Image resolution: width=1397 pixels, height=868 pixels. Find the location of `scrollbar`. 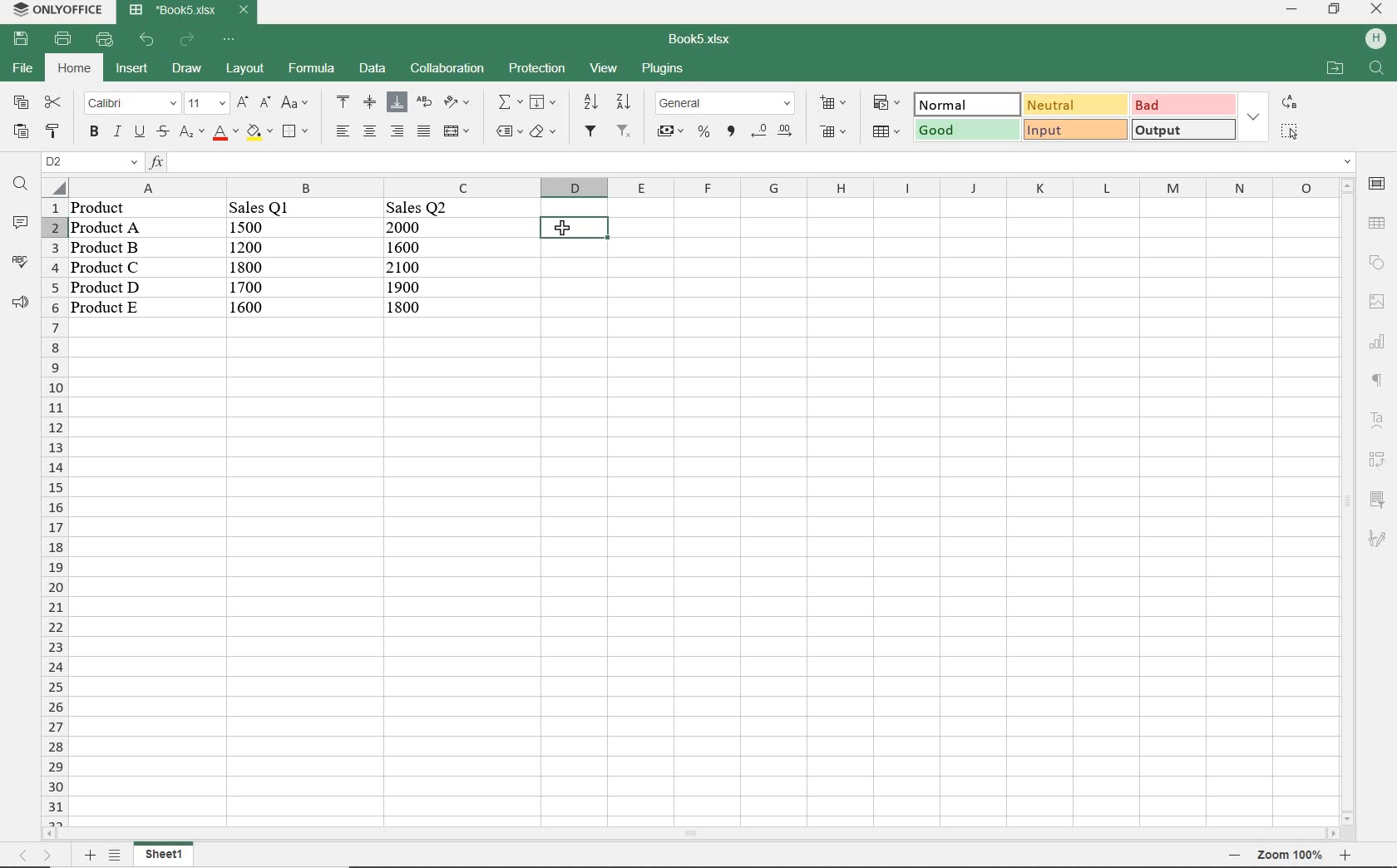

scrollbar is located at coordinates (691, 834).